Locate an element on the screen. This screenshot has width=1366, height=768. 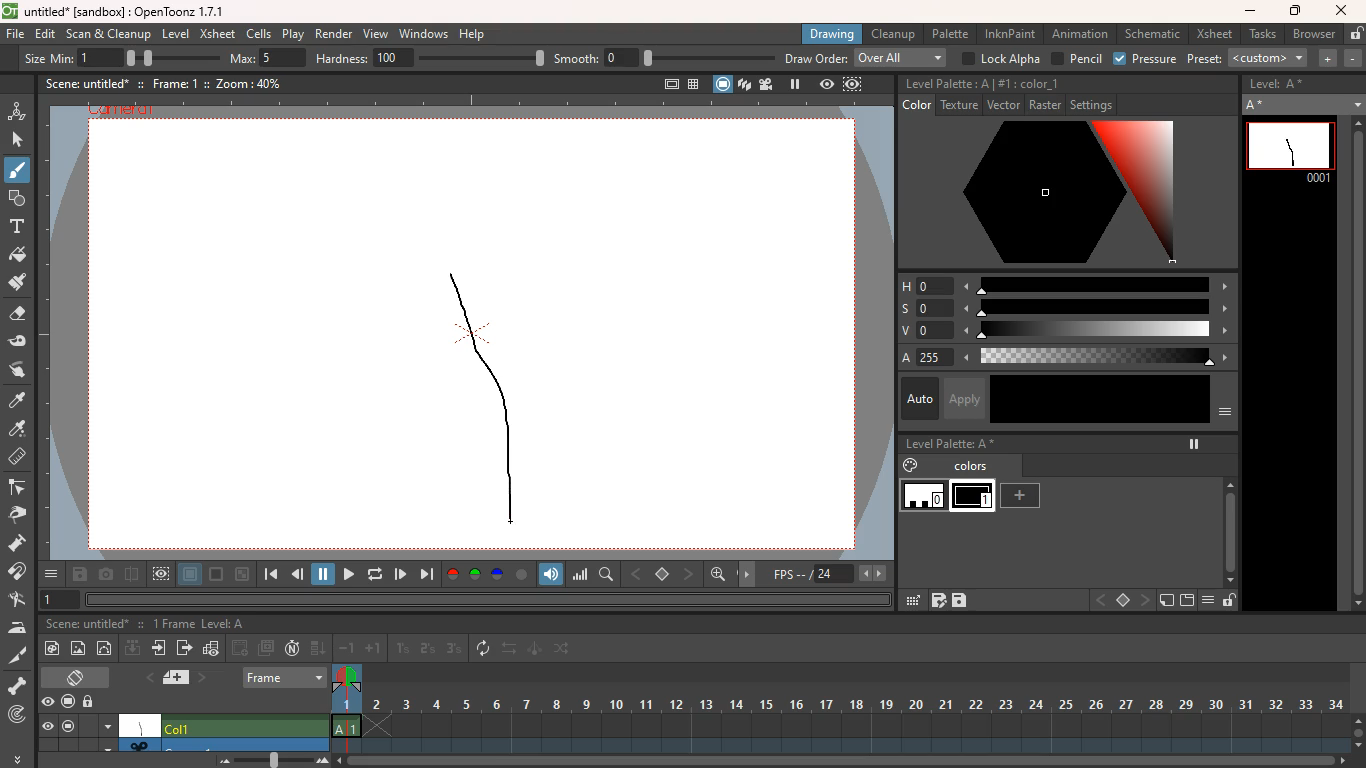
frame: 1 is located at coordinates (168, 83).